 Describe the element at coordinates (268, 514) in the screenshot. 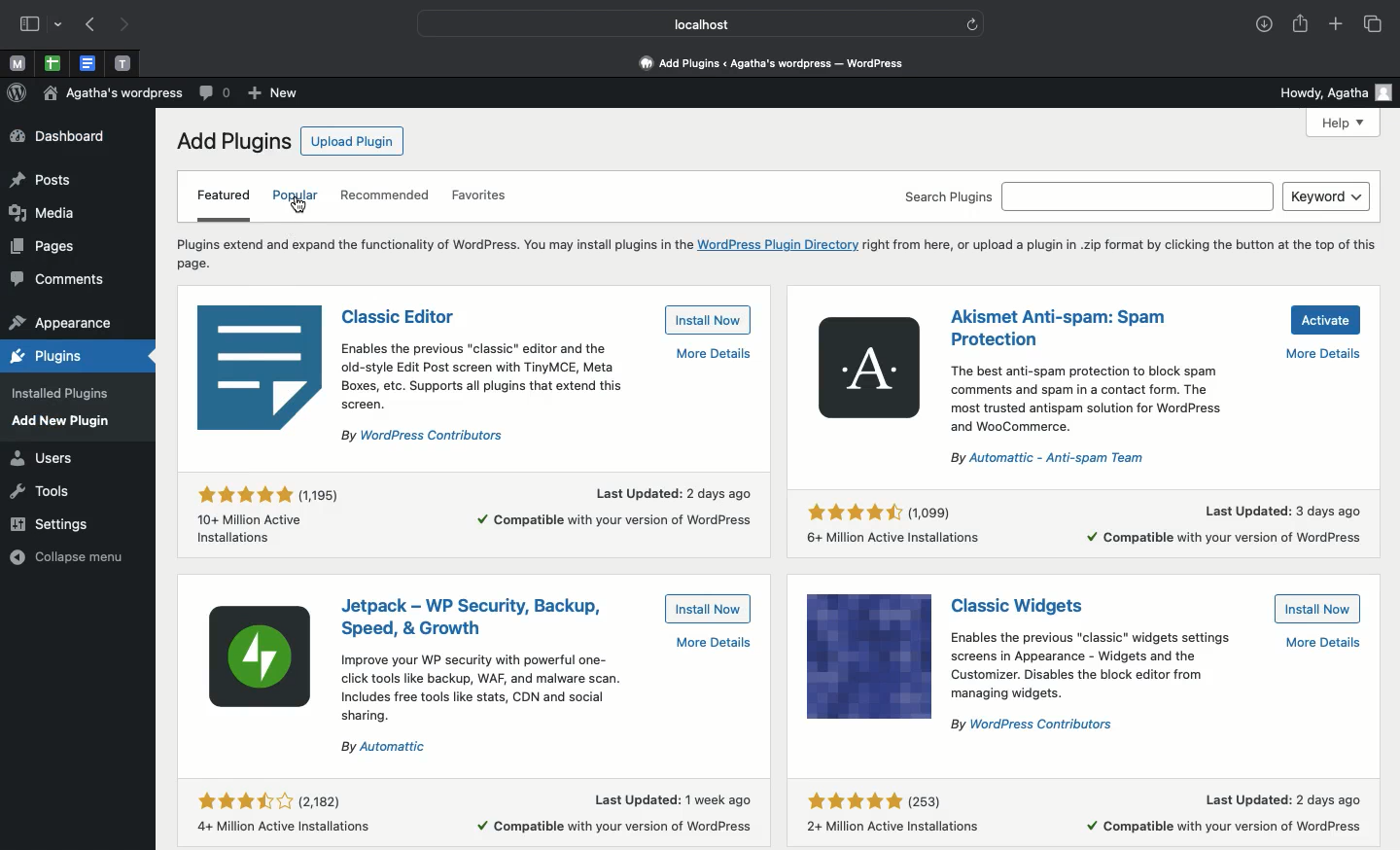

I see `Rating` at that location.